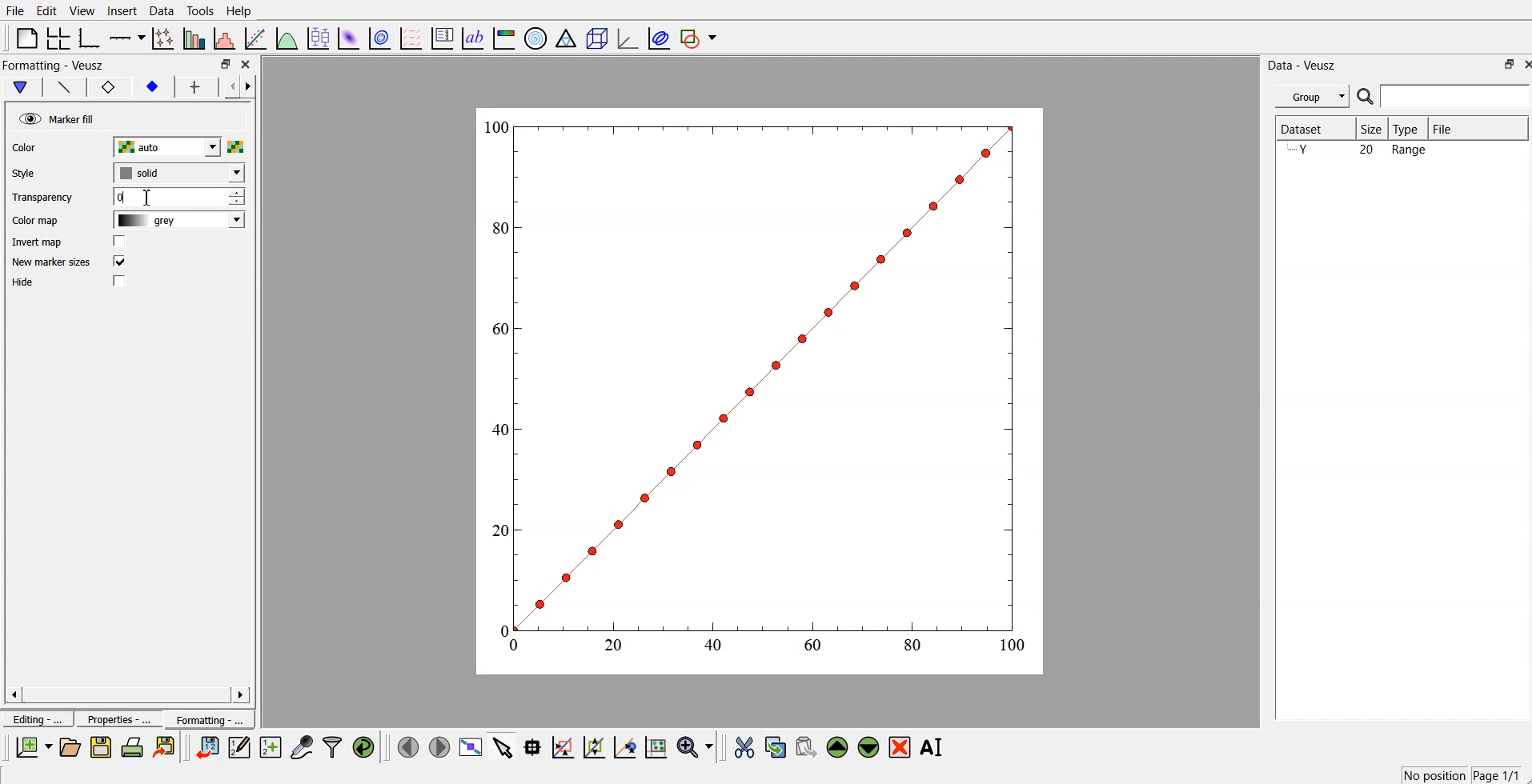  I want to click on Edit and enter new dataset, so click(237, 747).